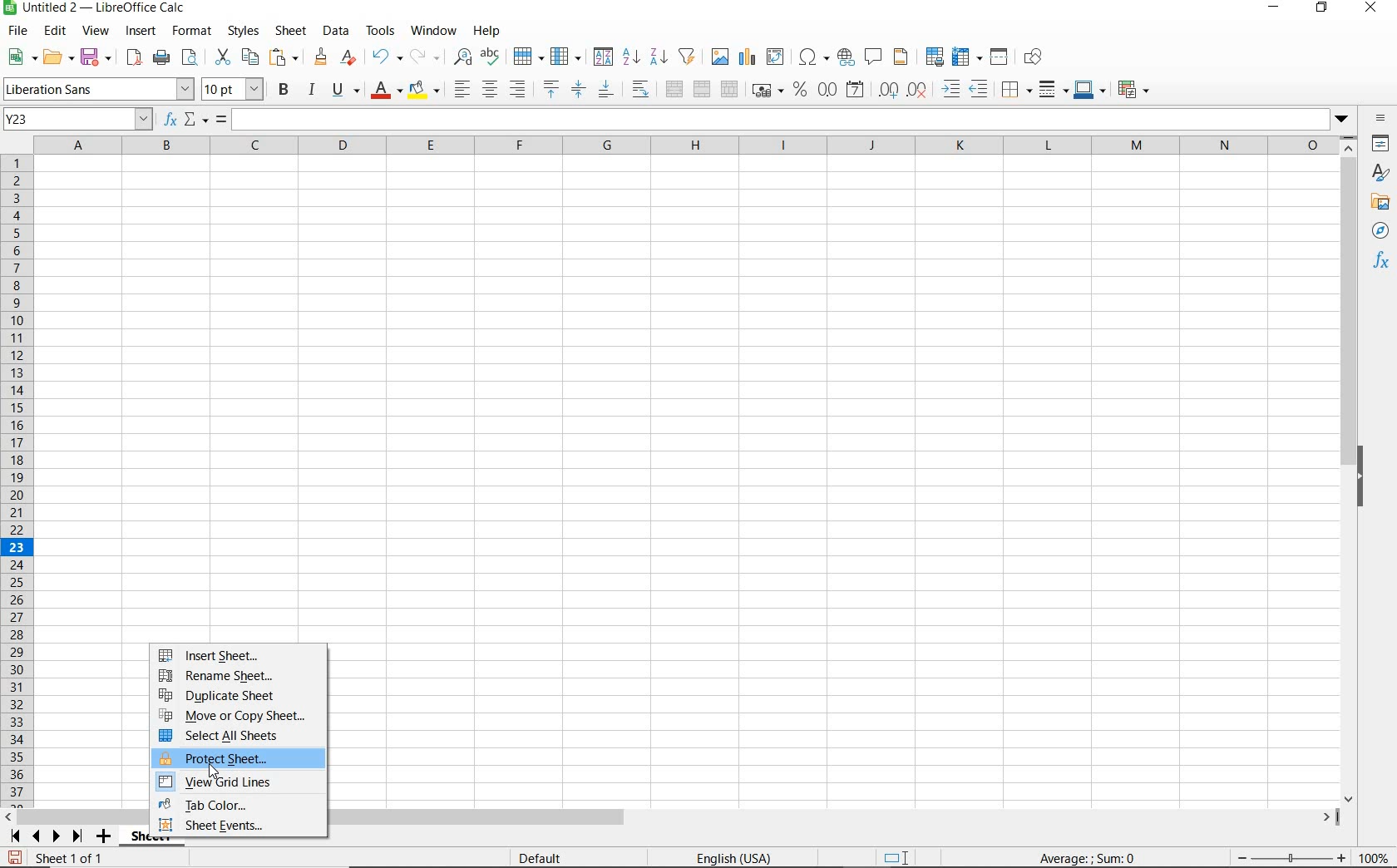 This screenshot has width=1397, height=868. Describe the element at coordinates (748, 57) in the screenshot. I see `INSERT CHART` at that location.